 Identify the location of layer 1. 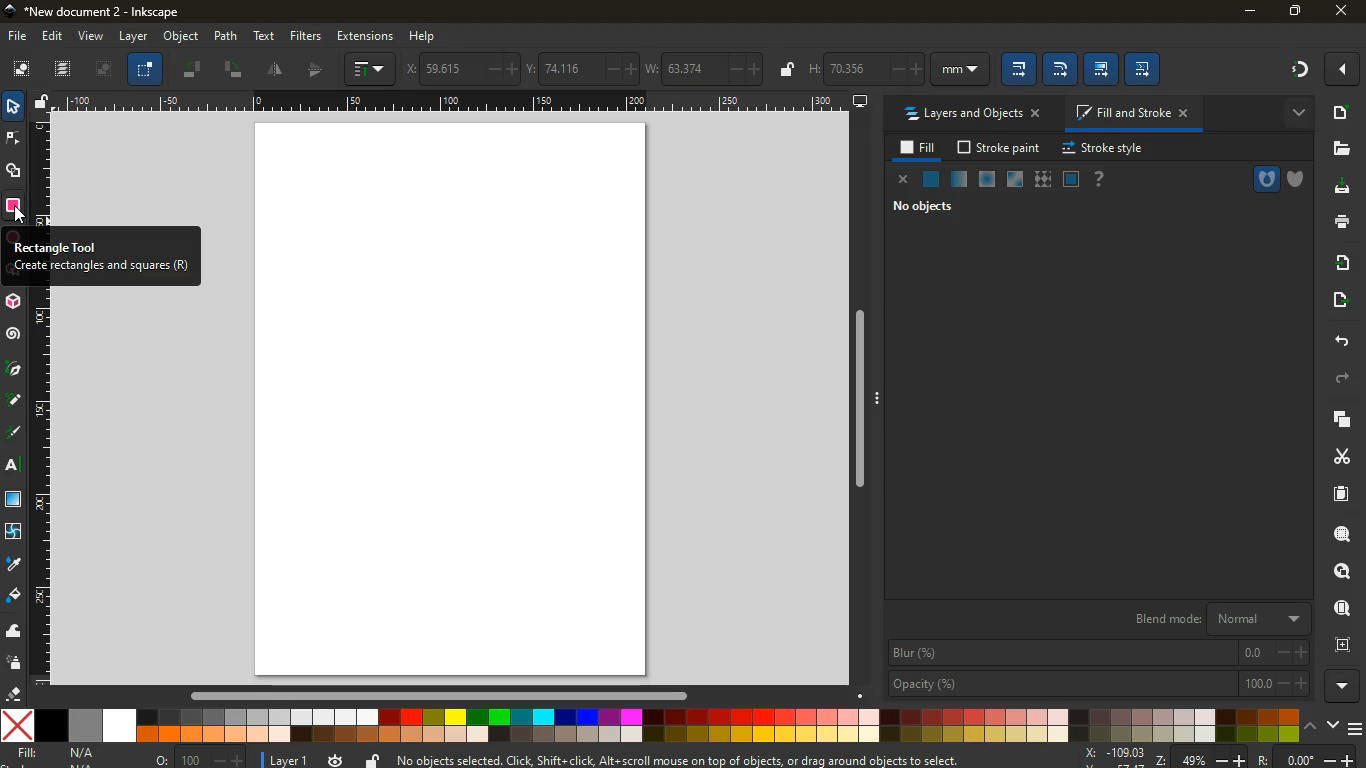
(288, 761).